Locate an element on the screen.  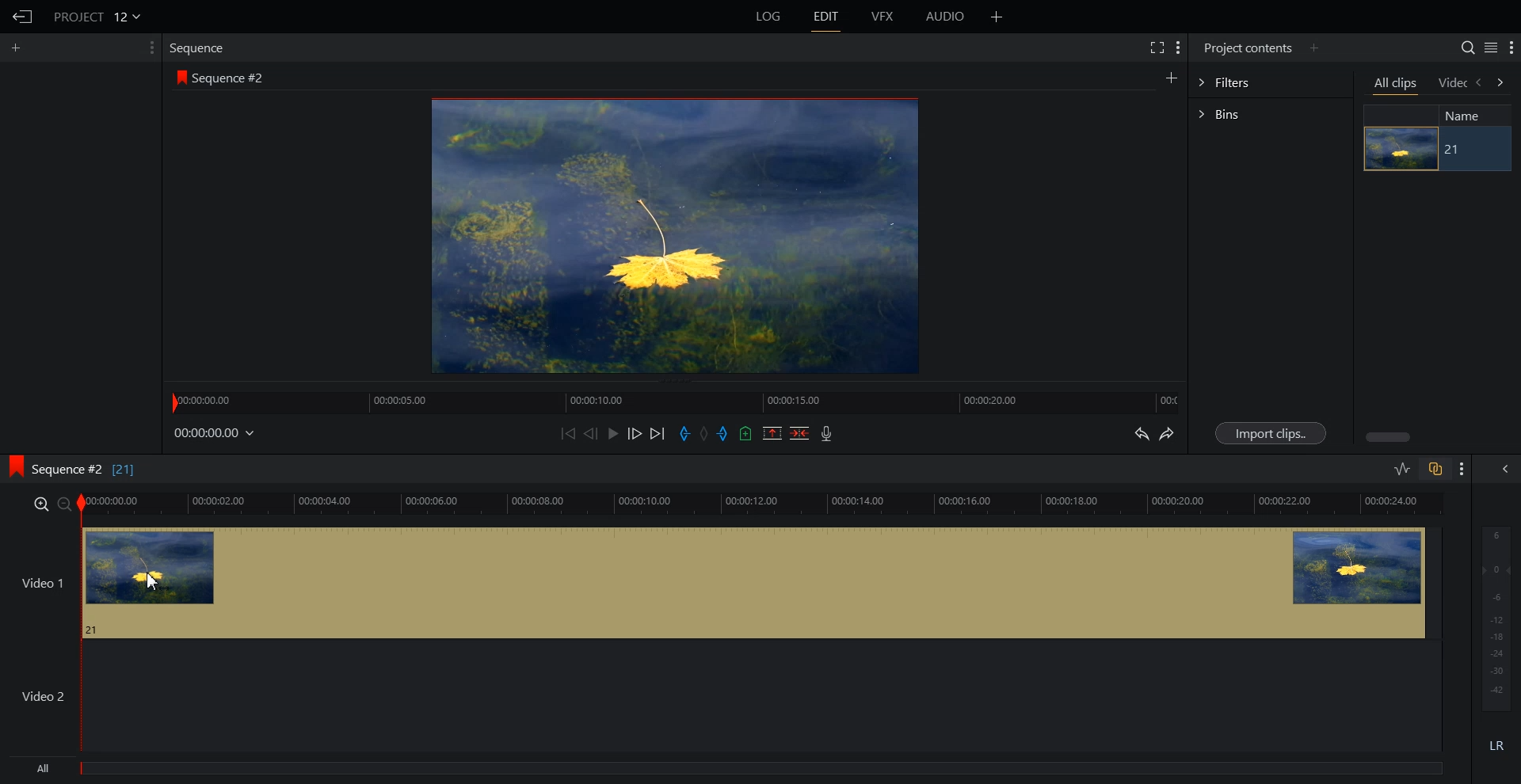
forward is located at coordinates (1503, 84).